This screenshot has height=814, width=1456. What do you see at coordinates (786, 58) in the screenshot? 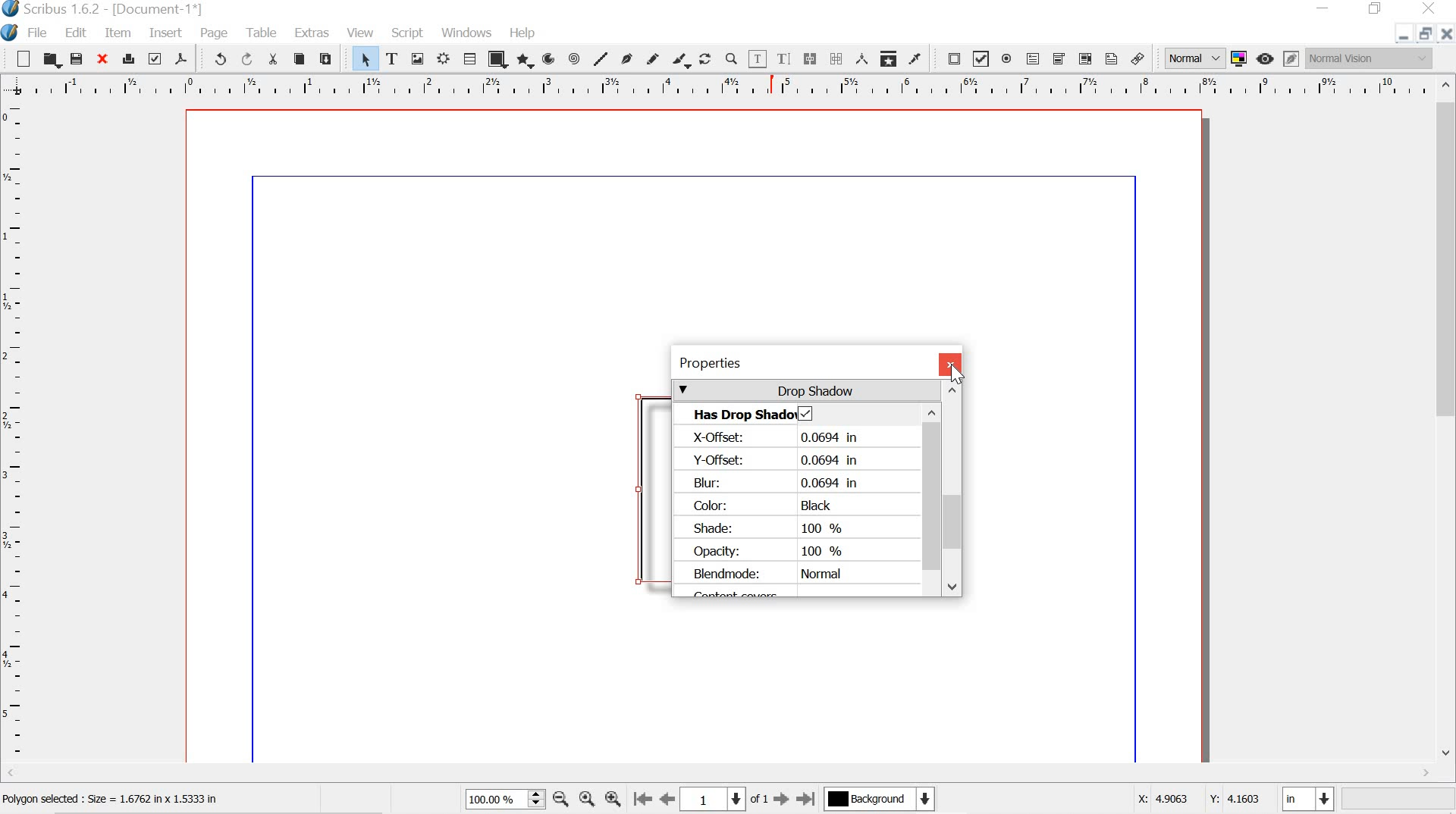
I see `edit text with story editor` at bounding box center [786, 58].